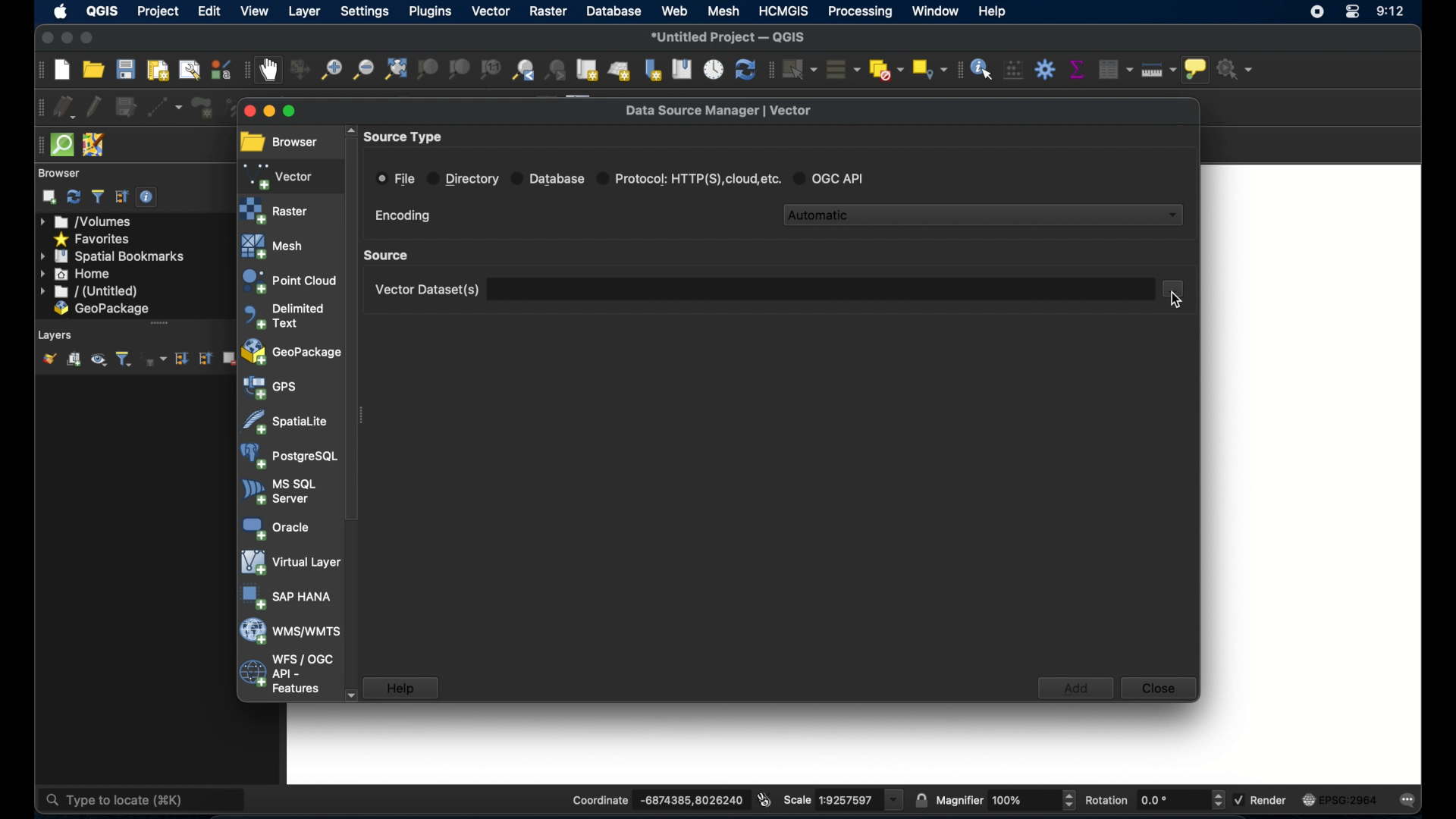 Image resolution: width=1456 pixels, height=819 pixels. I want to click on add group, so click(74, 360).